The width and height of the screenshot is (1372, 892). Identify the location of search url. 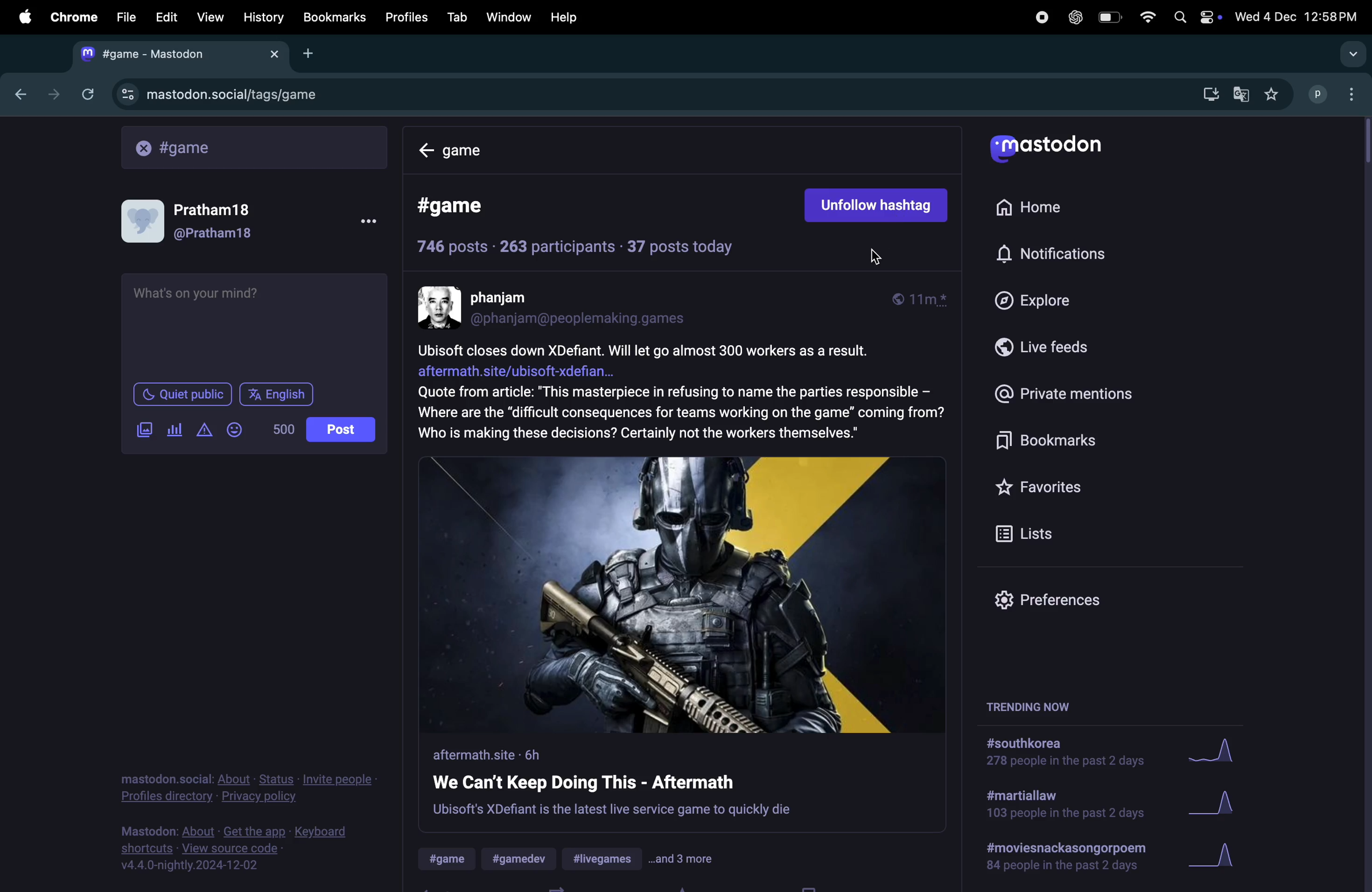
(255, 147).